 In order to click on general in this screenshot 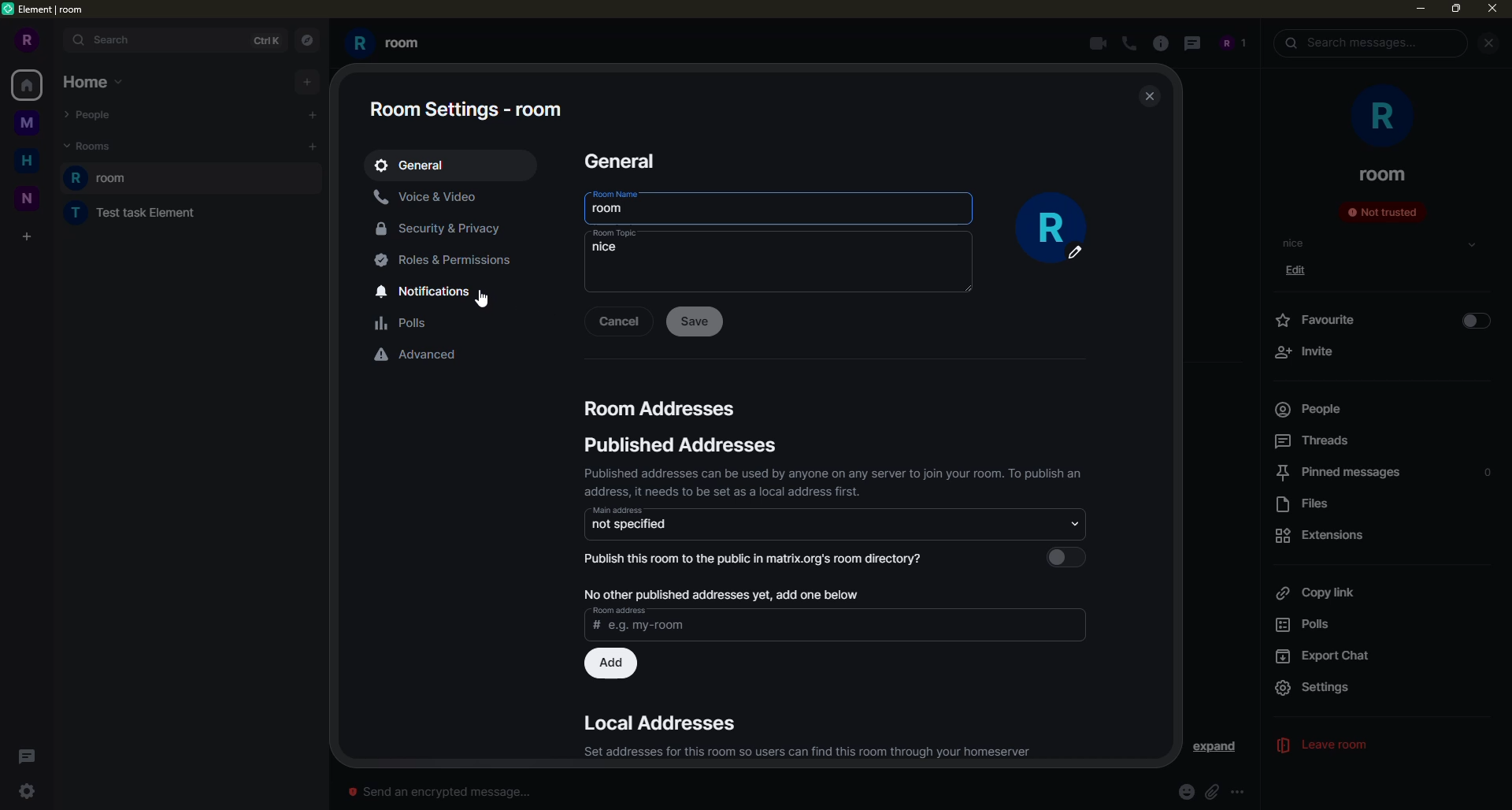, I will do `click(635, 161)`.